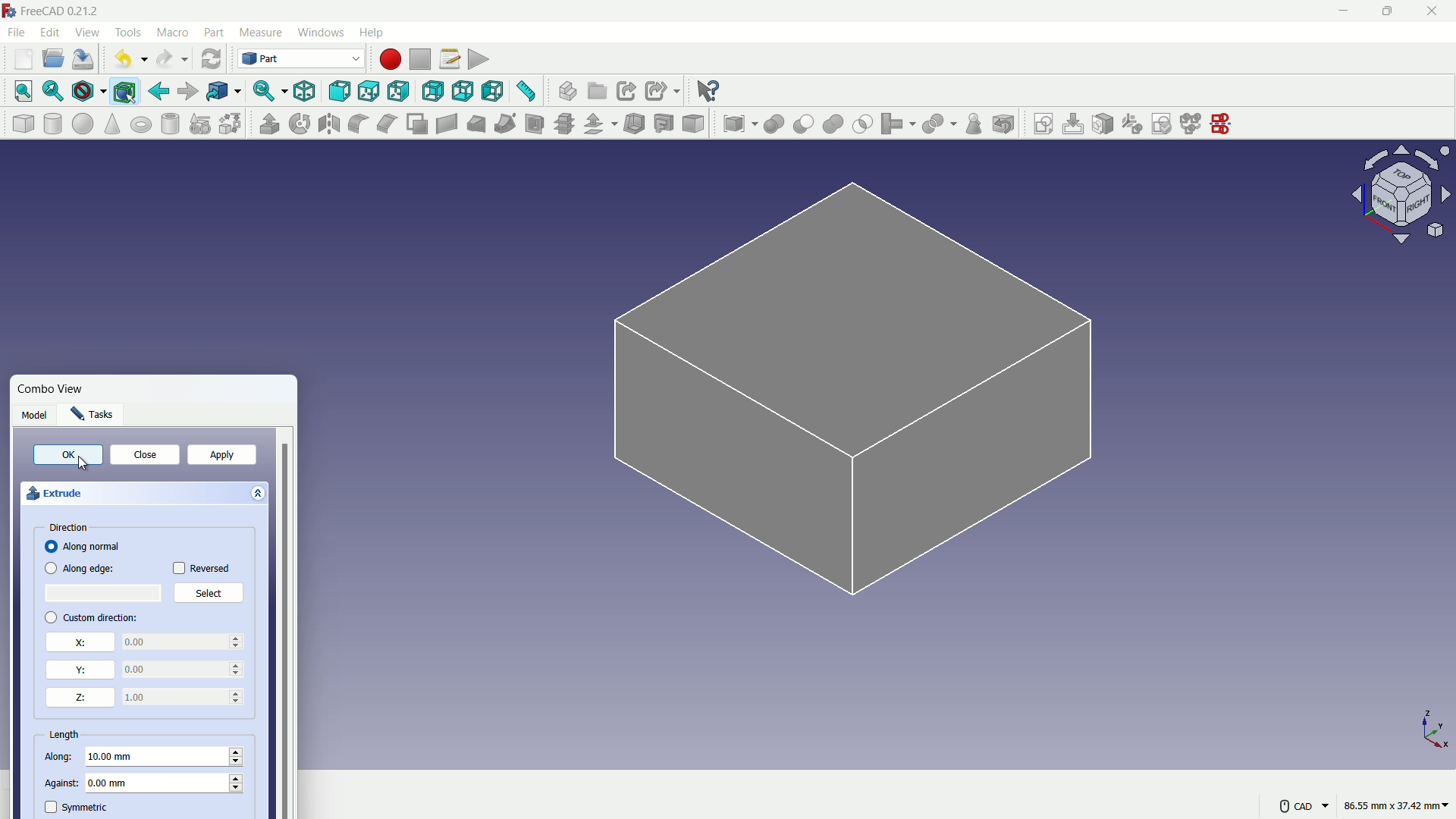 This screenshot has width=1456, height=819. I want to click on create part, so click(568, 90).